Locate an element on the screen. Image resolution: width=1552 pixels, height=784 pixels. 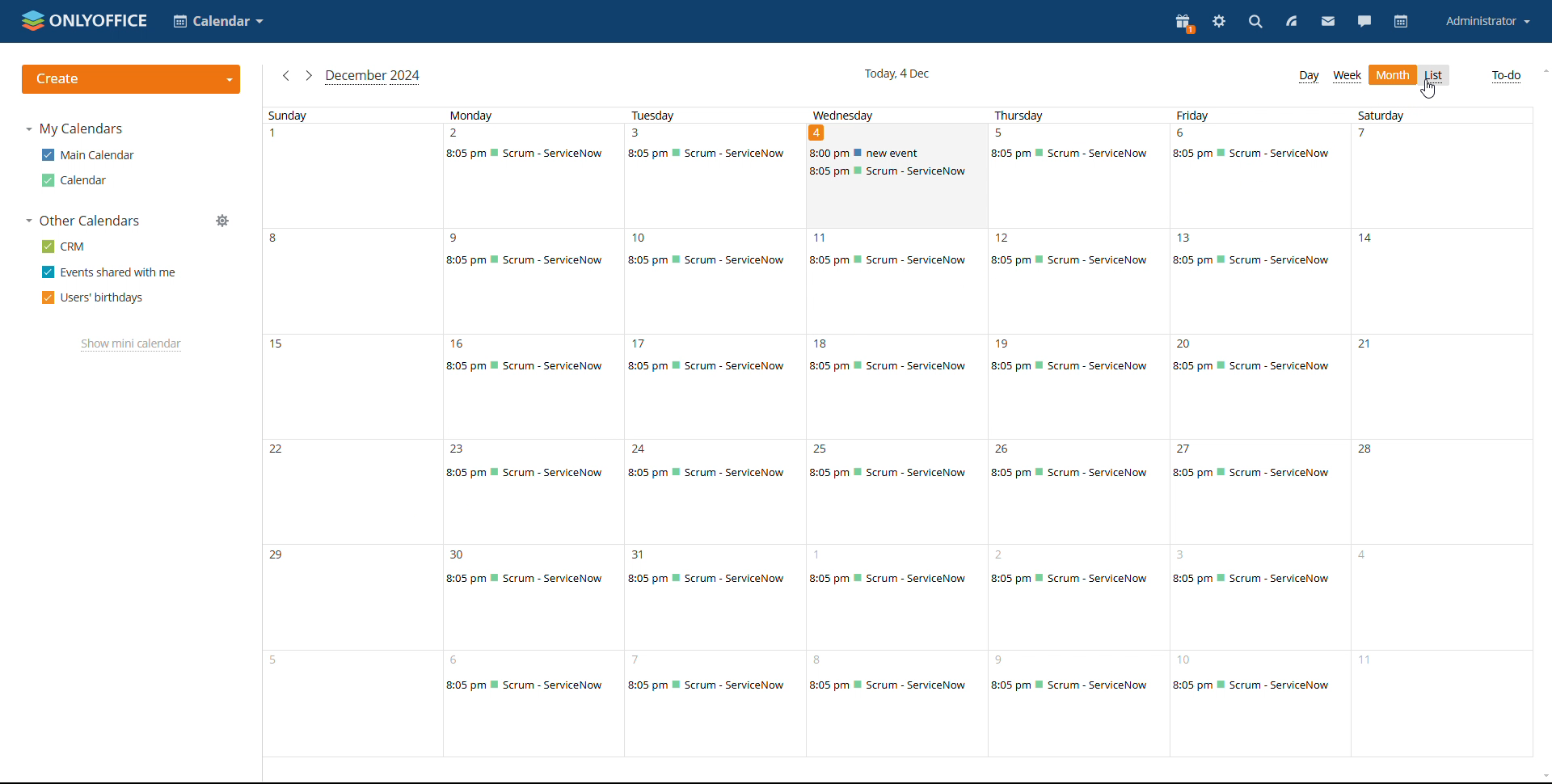
scroll down is located at coordinates (1542, 776).